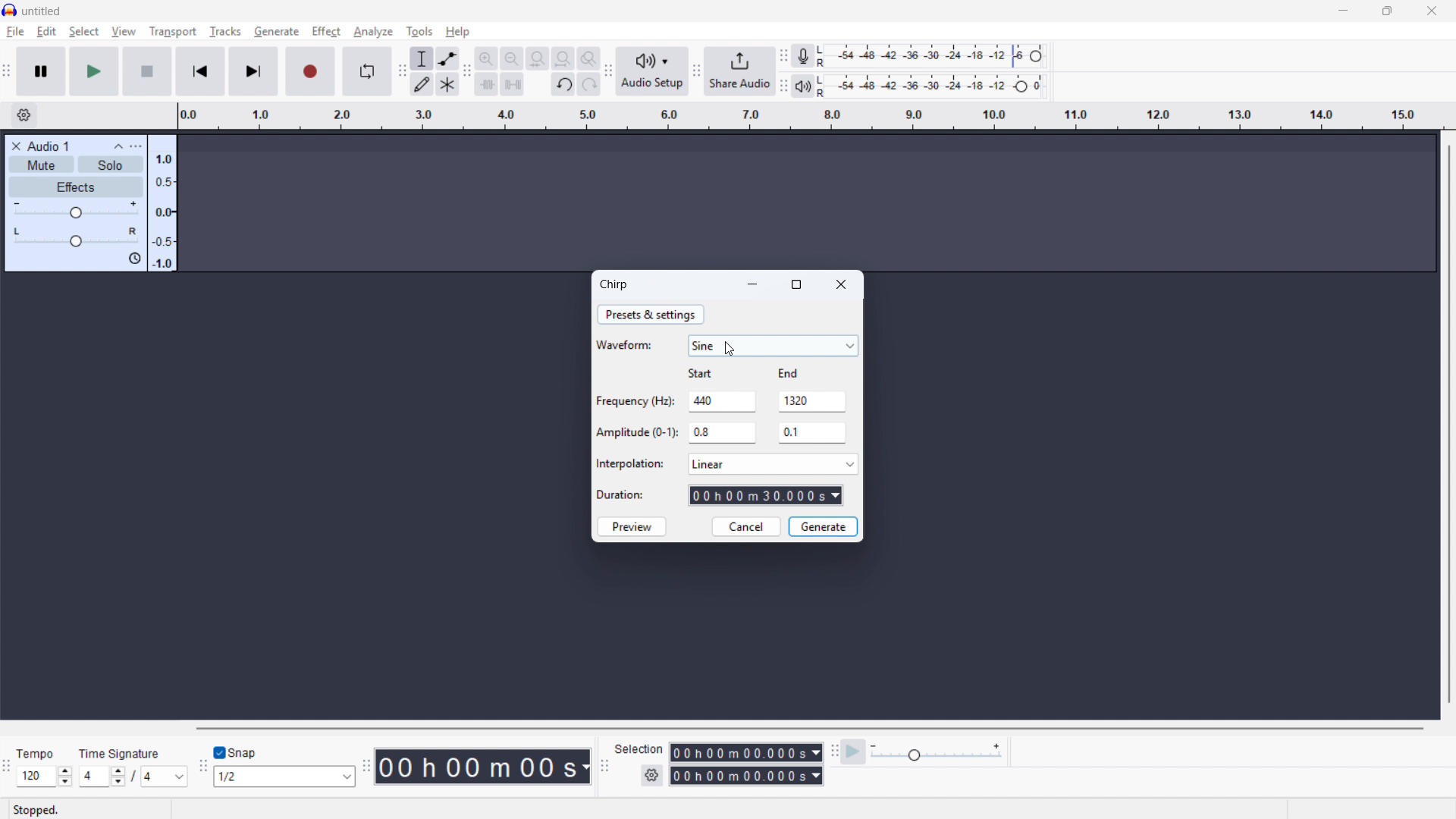 The width and height of the screenshot is (1456, 819). I want to click on Generate , so click(276, 31).